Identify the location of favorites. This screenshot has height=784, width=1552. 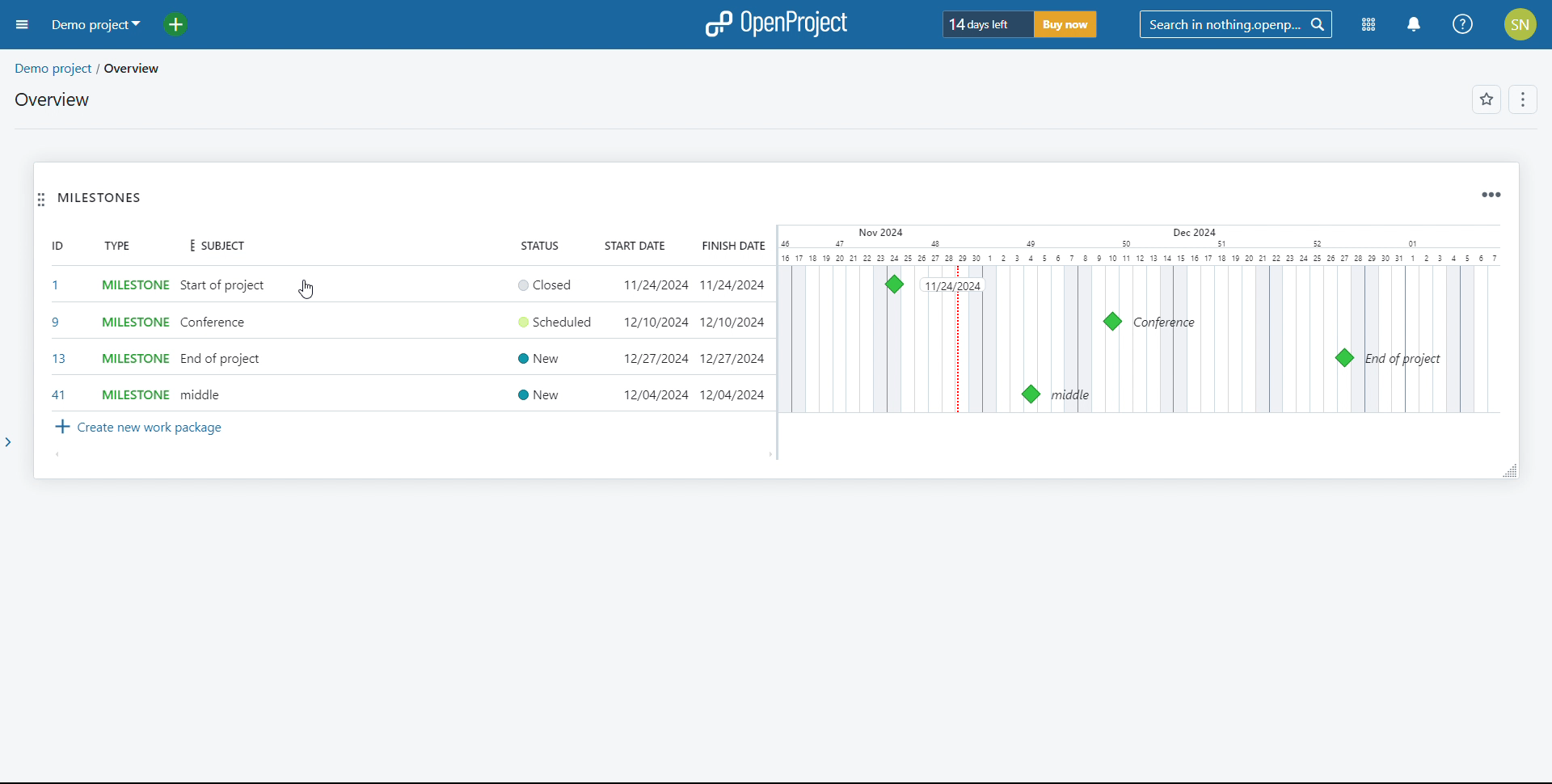
(1488, 100).